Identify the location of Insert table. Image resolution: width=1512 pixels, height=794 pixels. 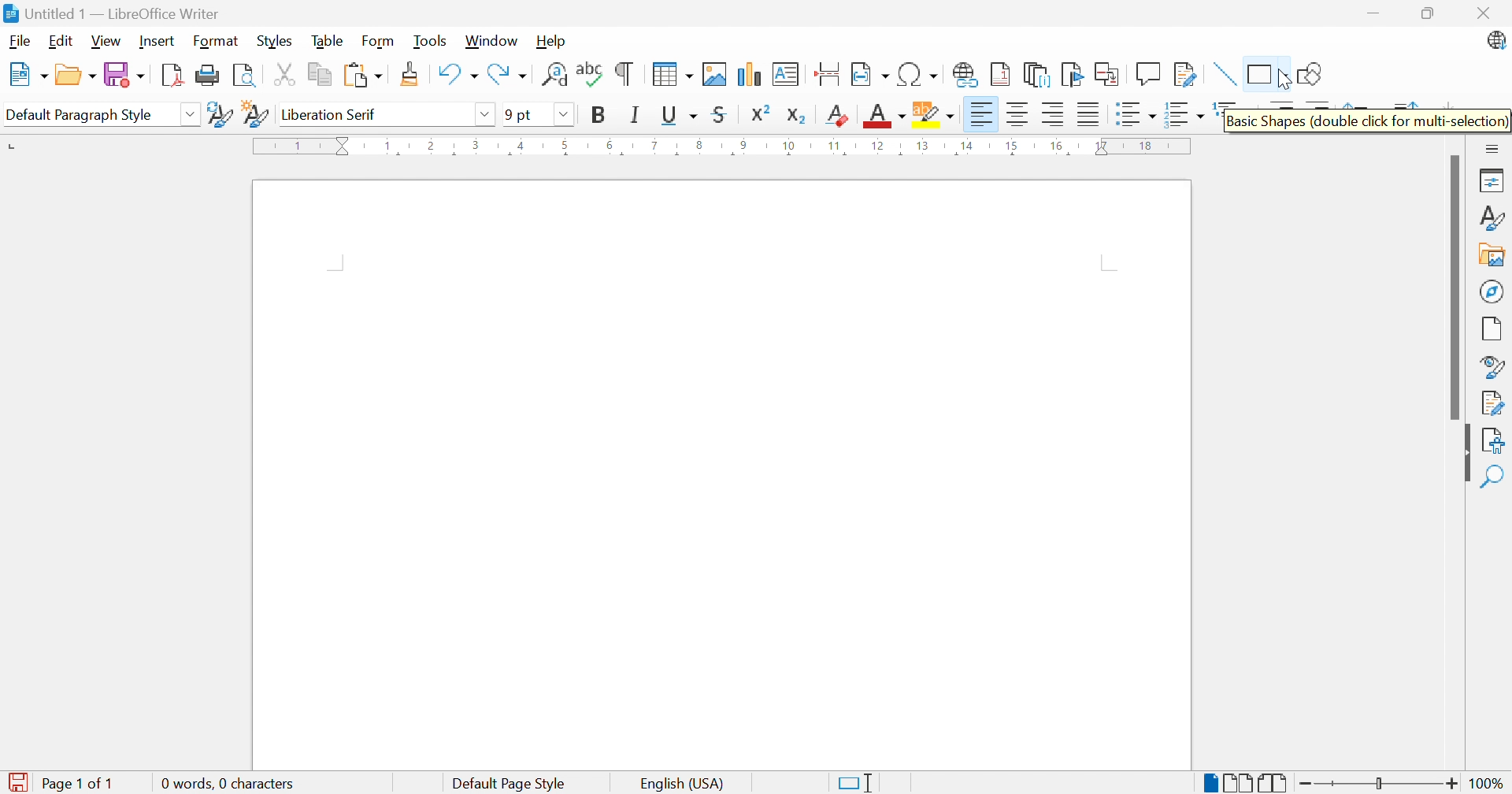
(674, 74).